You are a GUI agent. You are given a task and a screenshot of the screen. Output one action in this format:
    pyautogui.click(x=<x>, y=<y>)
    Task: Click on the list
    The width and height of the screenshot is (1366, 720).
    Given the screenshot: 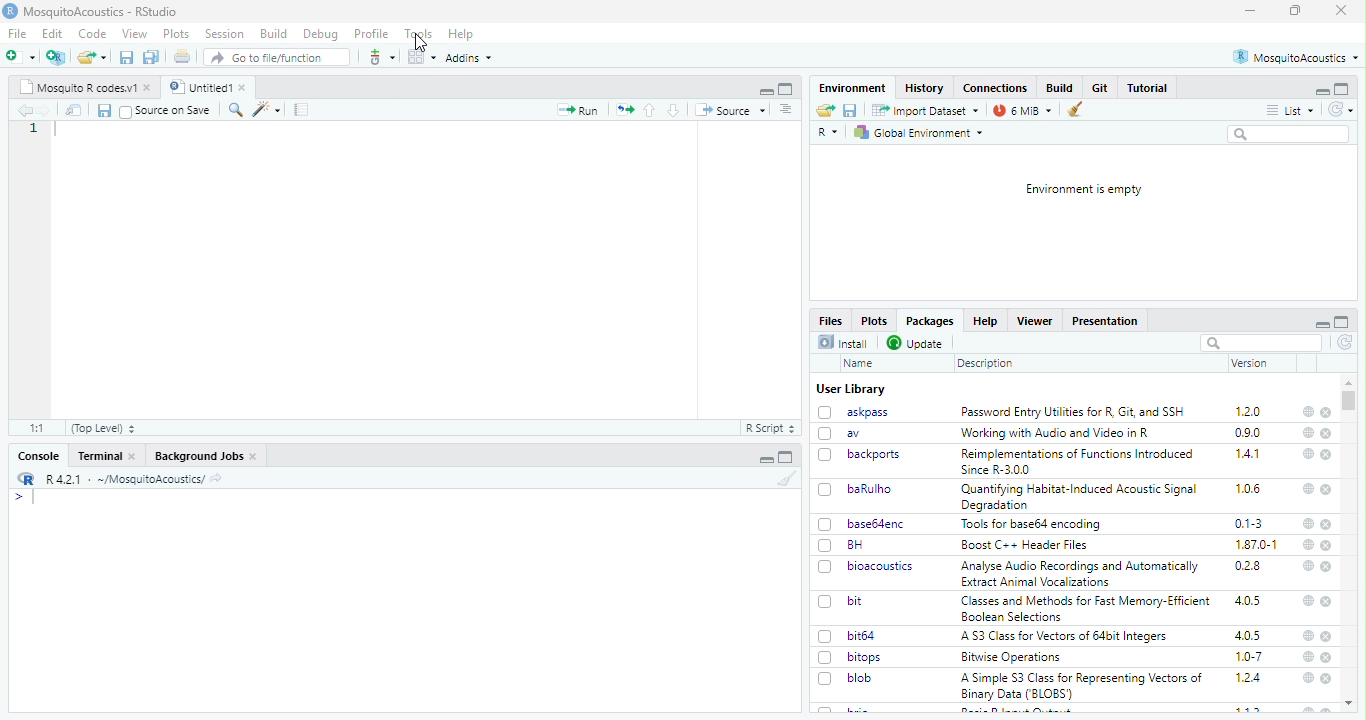 What is the action you would take?
    pyautogui.click(x=1291, y=111)
    